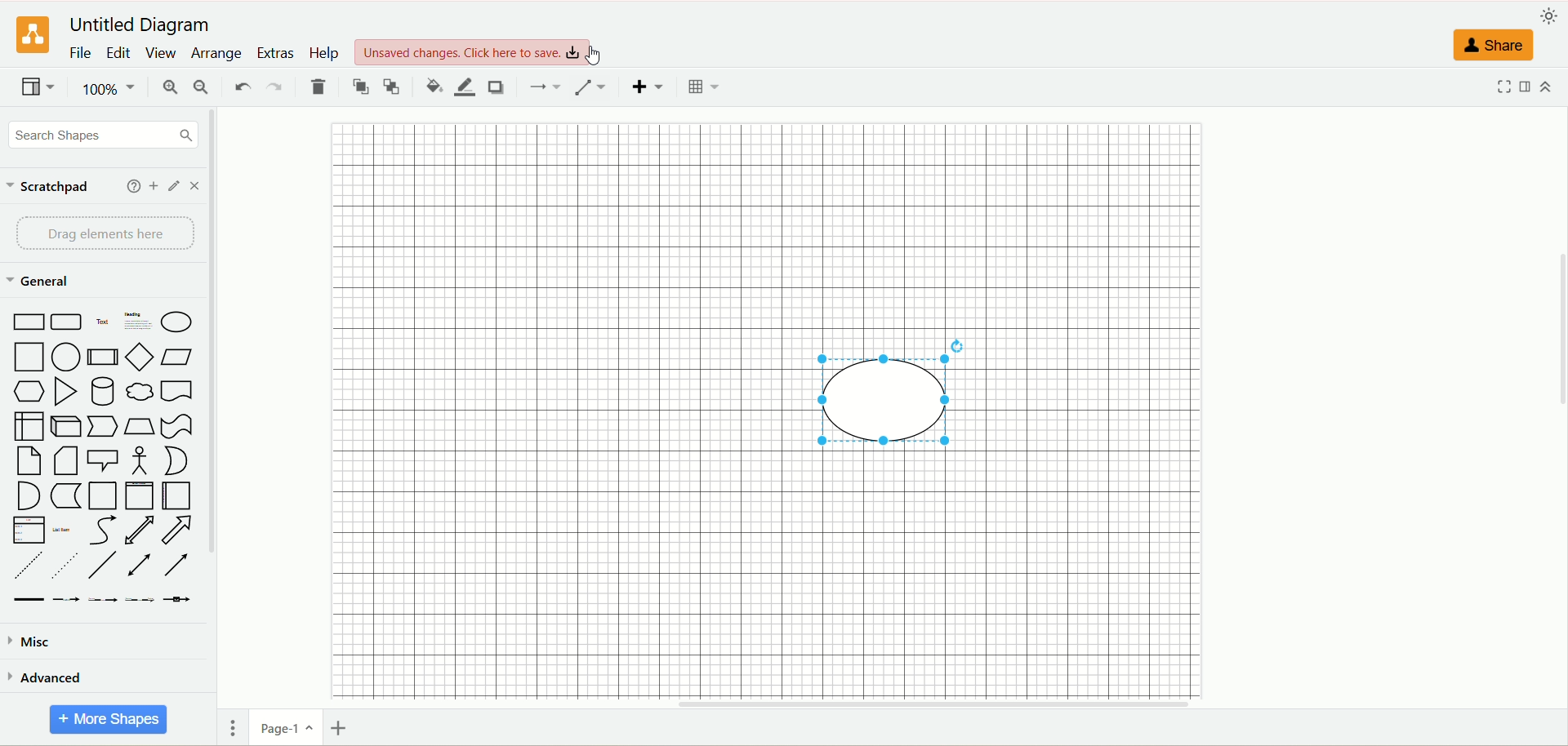 This screenshot has width=1568, height=746. Describe the element at coordinates (140, 425) in the screenshot. I see `trapezoid` at that location.